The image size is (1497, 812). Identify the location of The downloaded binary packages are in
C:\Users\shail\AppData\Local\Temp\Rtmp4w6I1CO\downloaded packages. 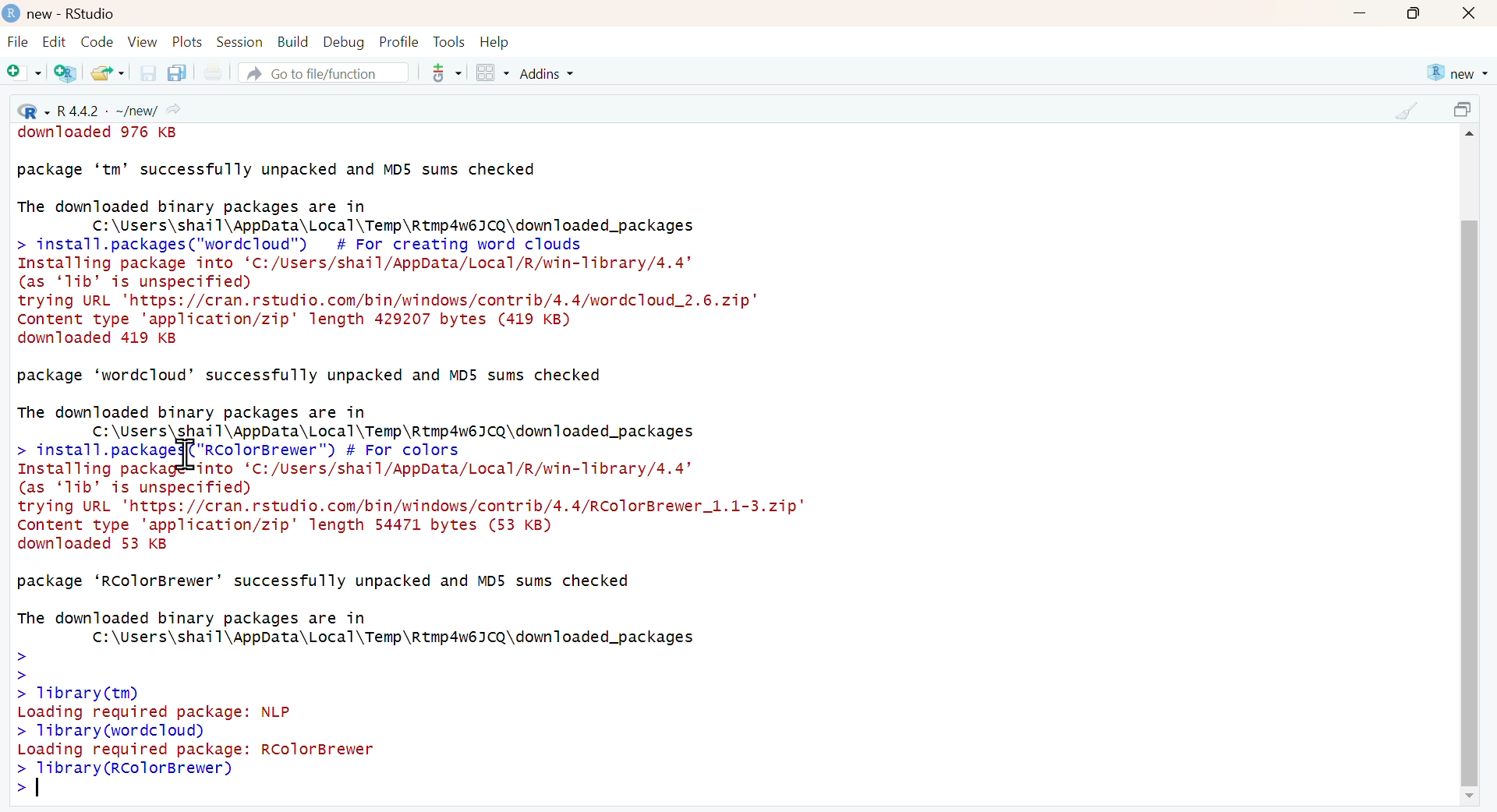
(359, 213).